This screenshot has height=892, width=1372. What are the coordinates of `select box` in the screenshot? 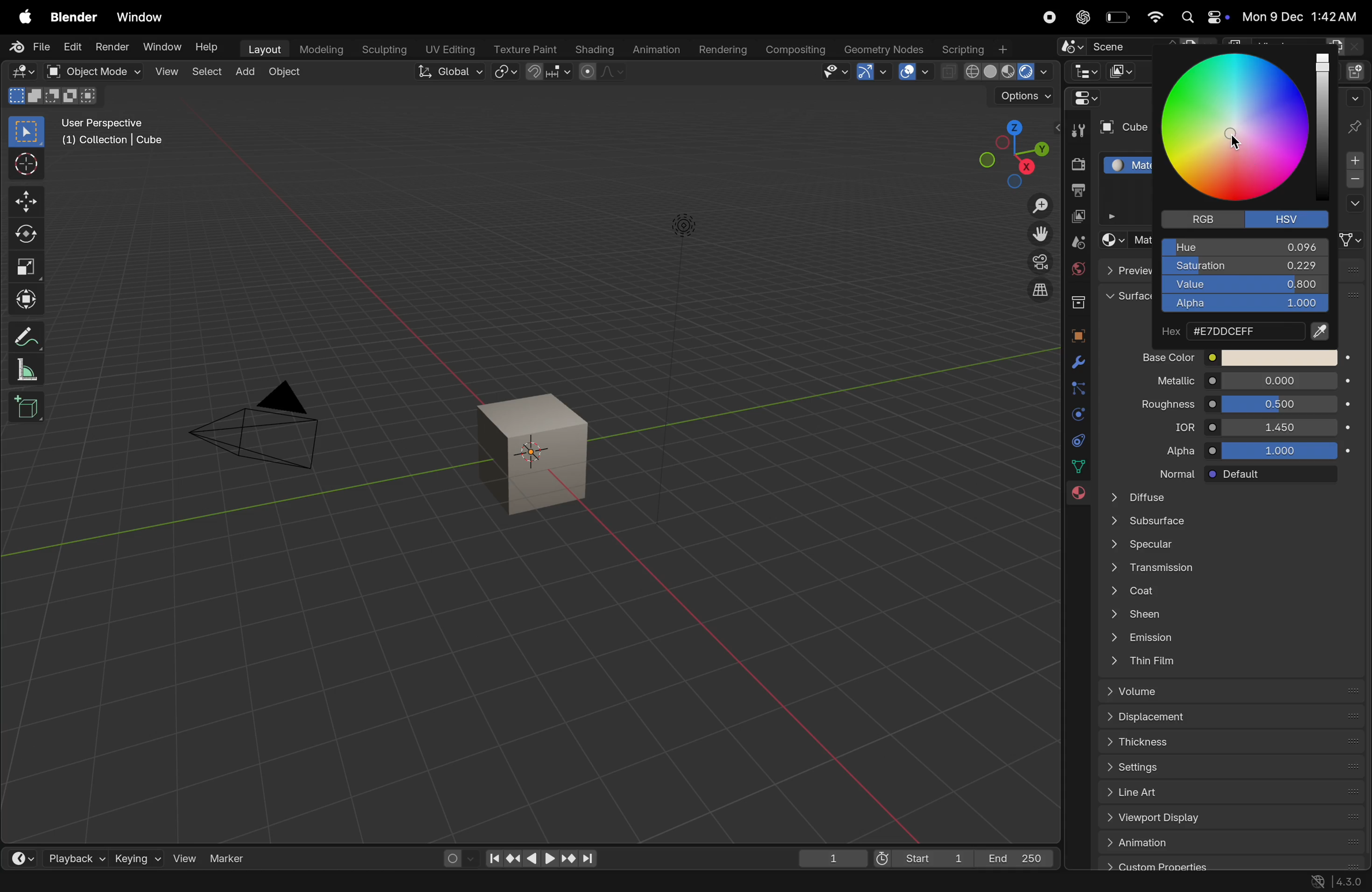 It's located at (26, 132).